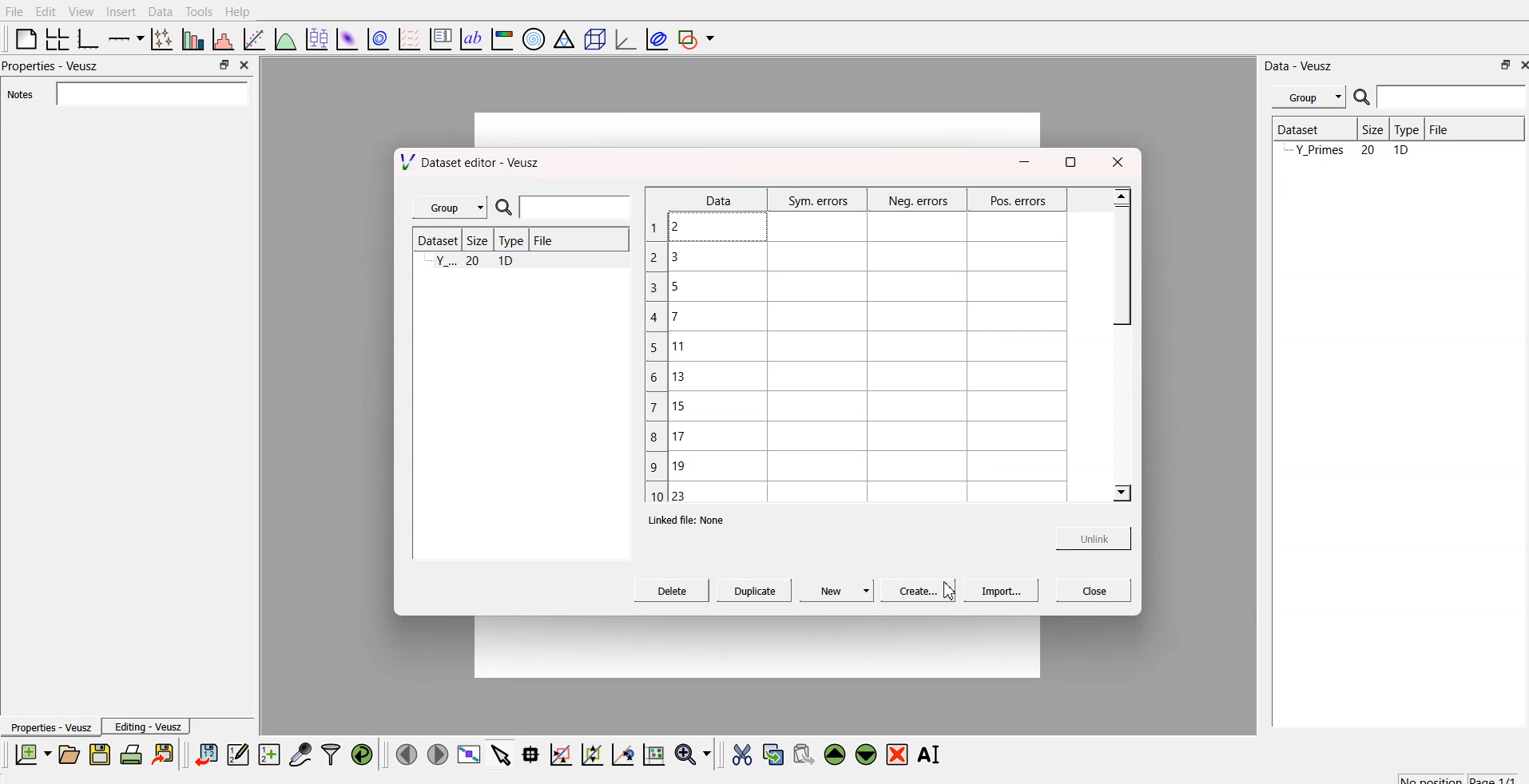 Image resolution: width=1529 pixels, height=784 pixels. I want to click on search icon, so click(1364, 99).